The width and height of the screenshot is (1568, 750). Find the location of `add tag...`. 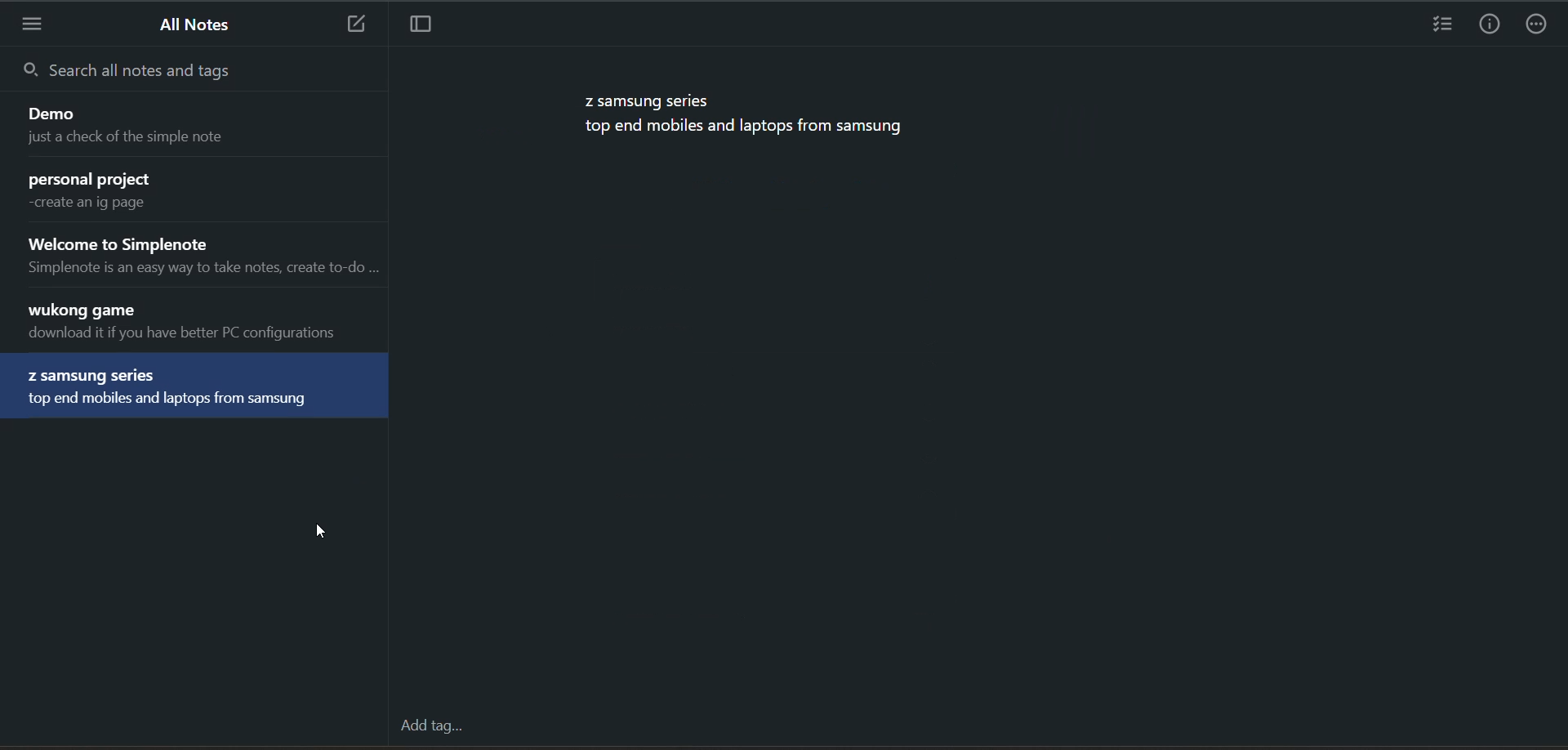

add tag... is located at coordinates (431, 726).